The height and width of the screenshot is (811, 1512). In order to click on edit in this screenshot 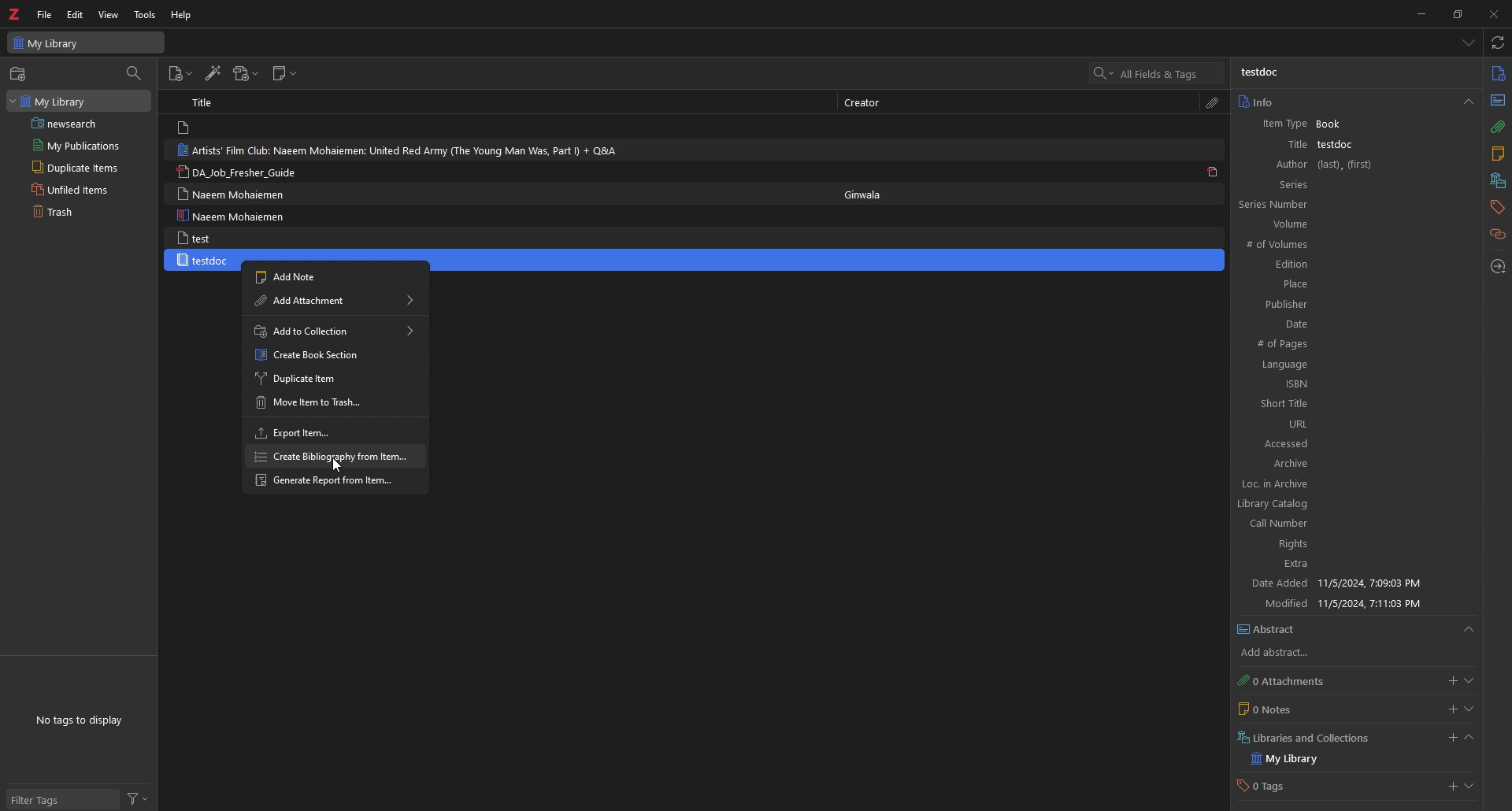, I will do `click(76, 14)`.